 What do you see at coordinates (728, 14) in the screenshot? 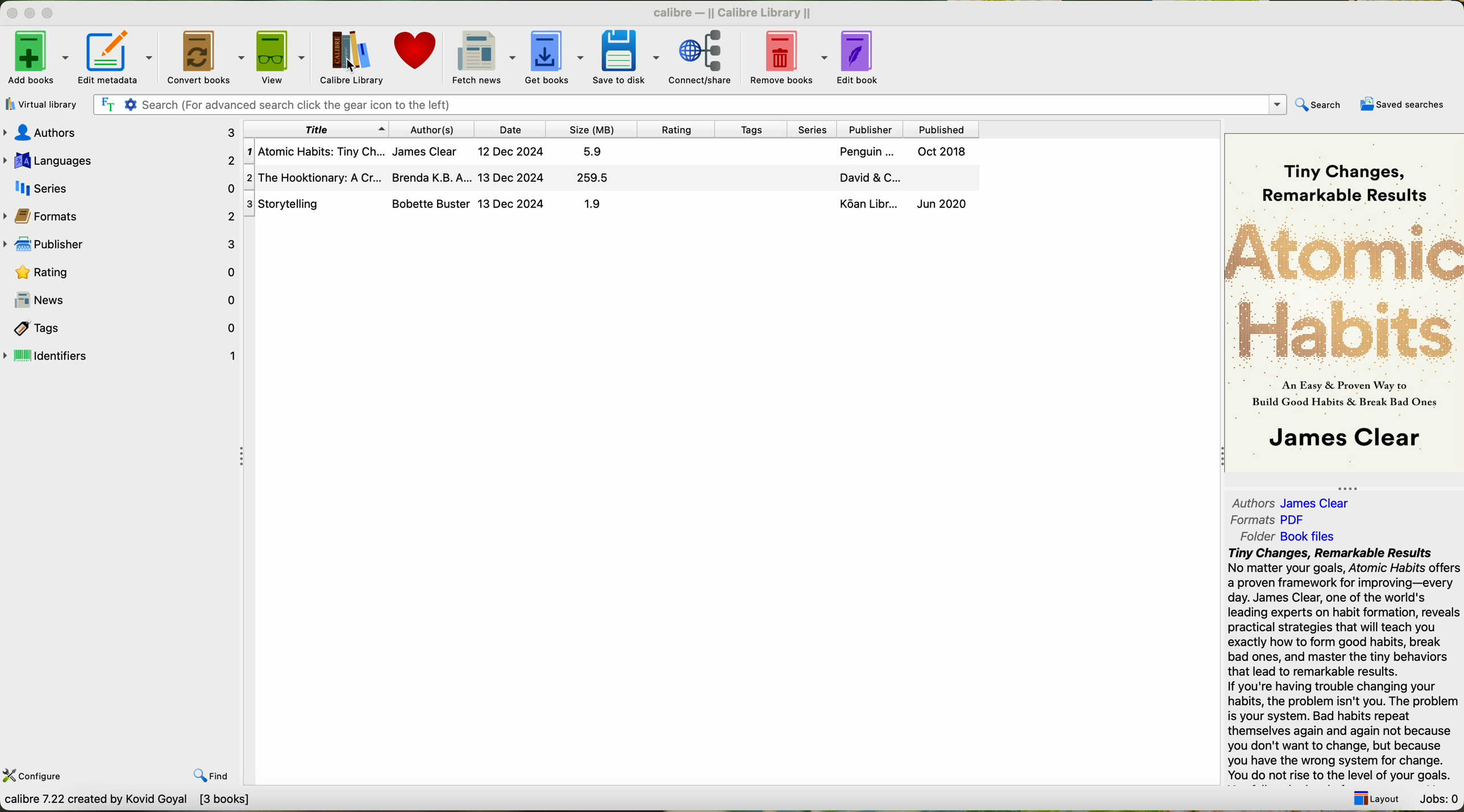
I see `calibre — || Calibre Library ||` at bounding box center [728, 14].